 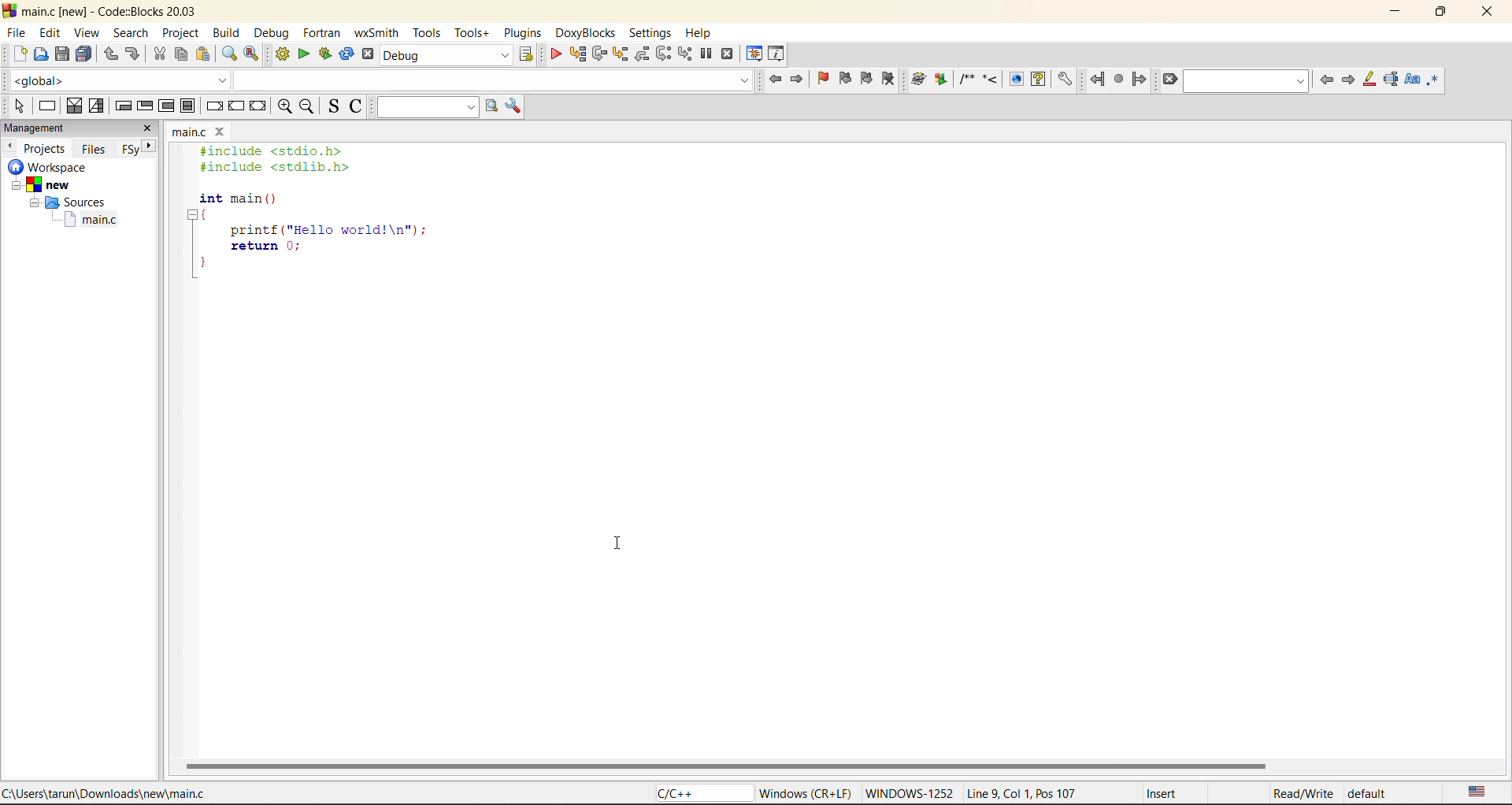 What do you see at coordinates (728, 54) in the screenshot?
I see `stop debugger` at bounding box center [728, 54].